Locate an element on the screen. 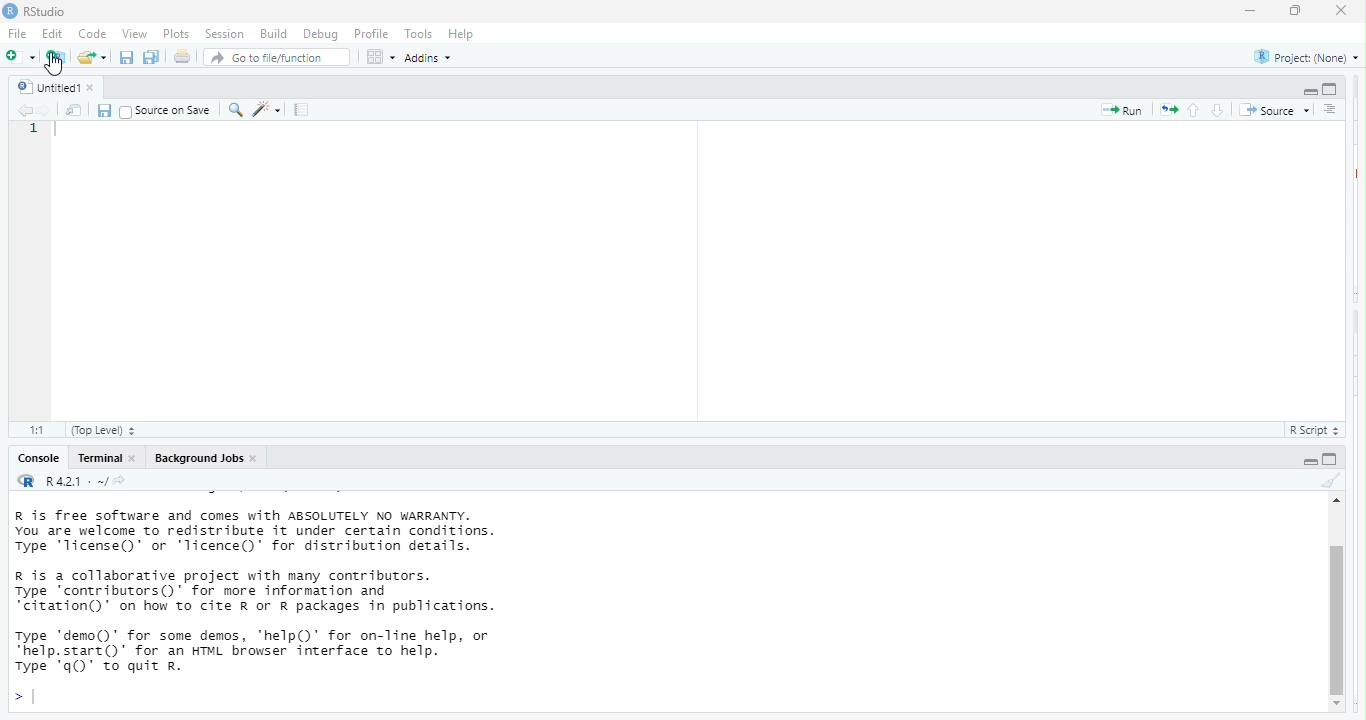 The image size is (1366, 720). Edit is located at coordinates (54, 35).